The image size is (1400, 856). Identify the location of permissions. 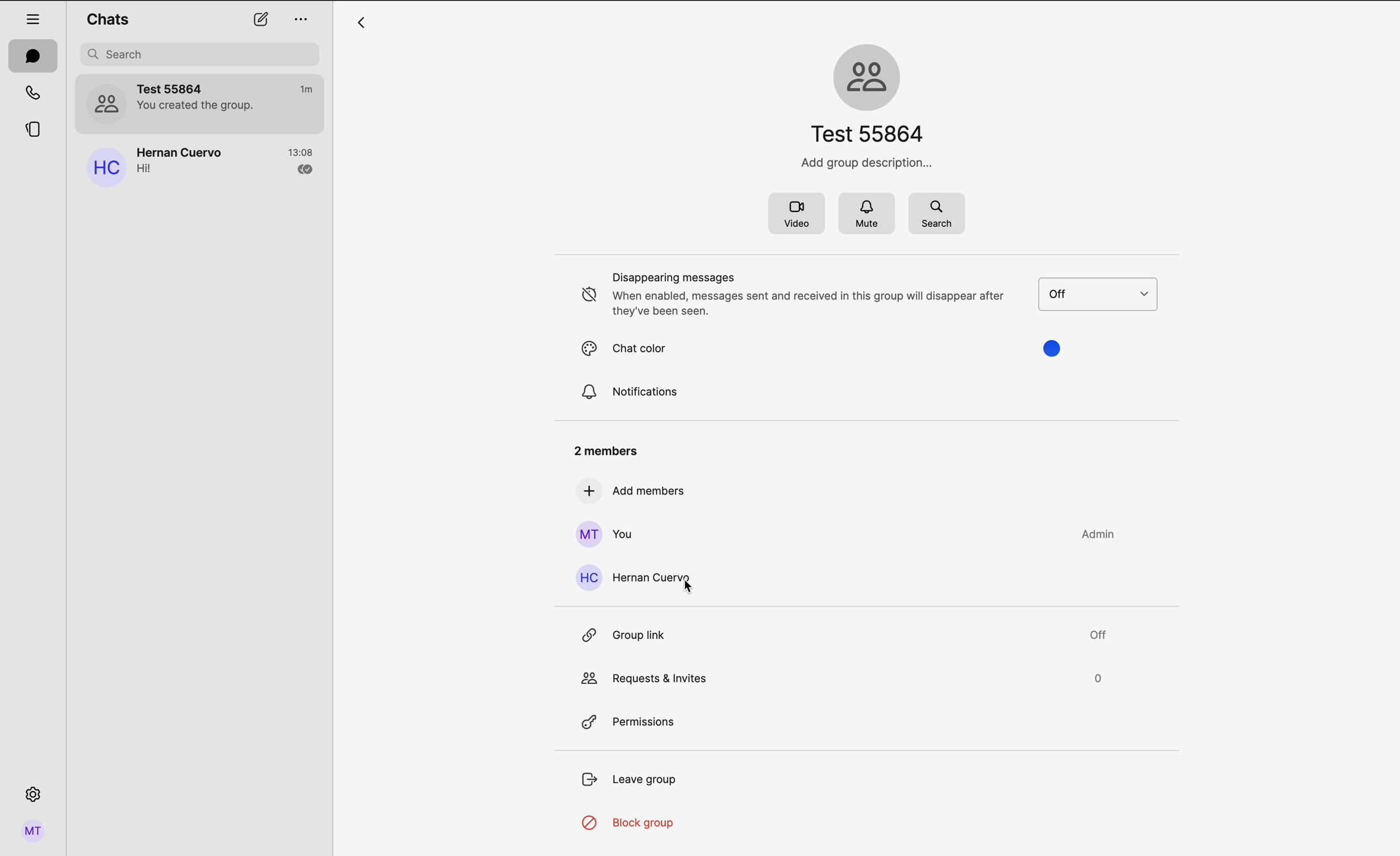
(626, 723).